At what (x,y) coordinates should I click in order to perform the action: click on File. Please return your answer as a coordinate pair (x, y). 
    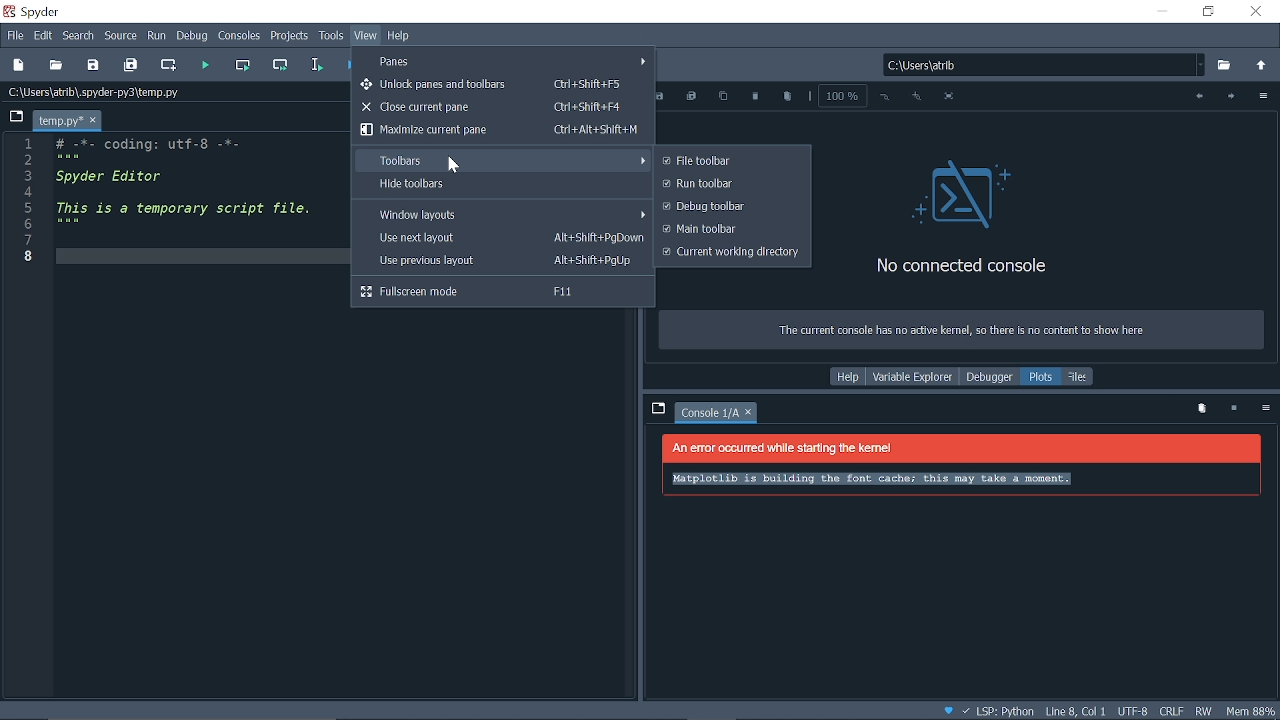
    Looking at the image, I should click on (13, 35).